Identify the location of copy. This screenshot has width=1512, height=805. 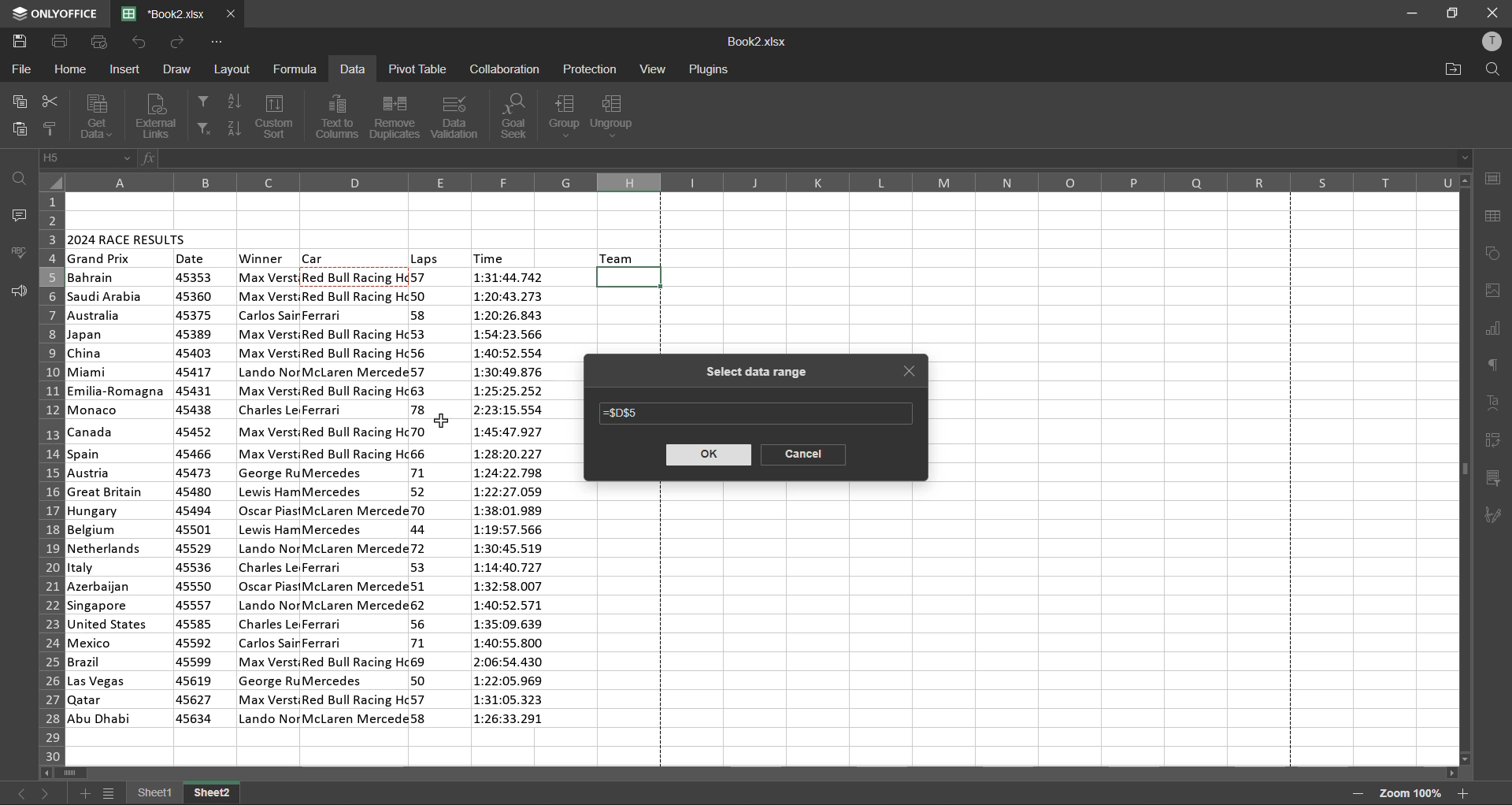
(17, 103).